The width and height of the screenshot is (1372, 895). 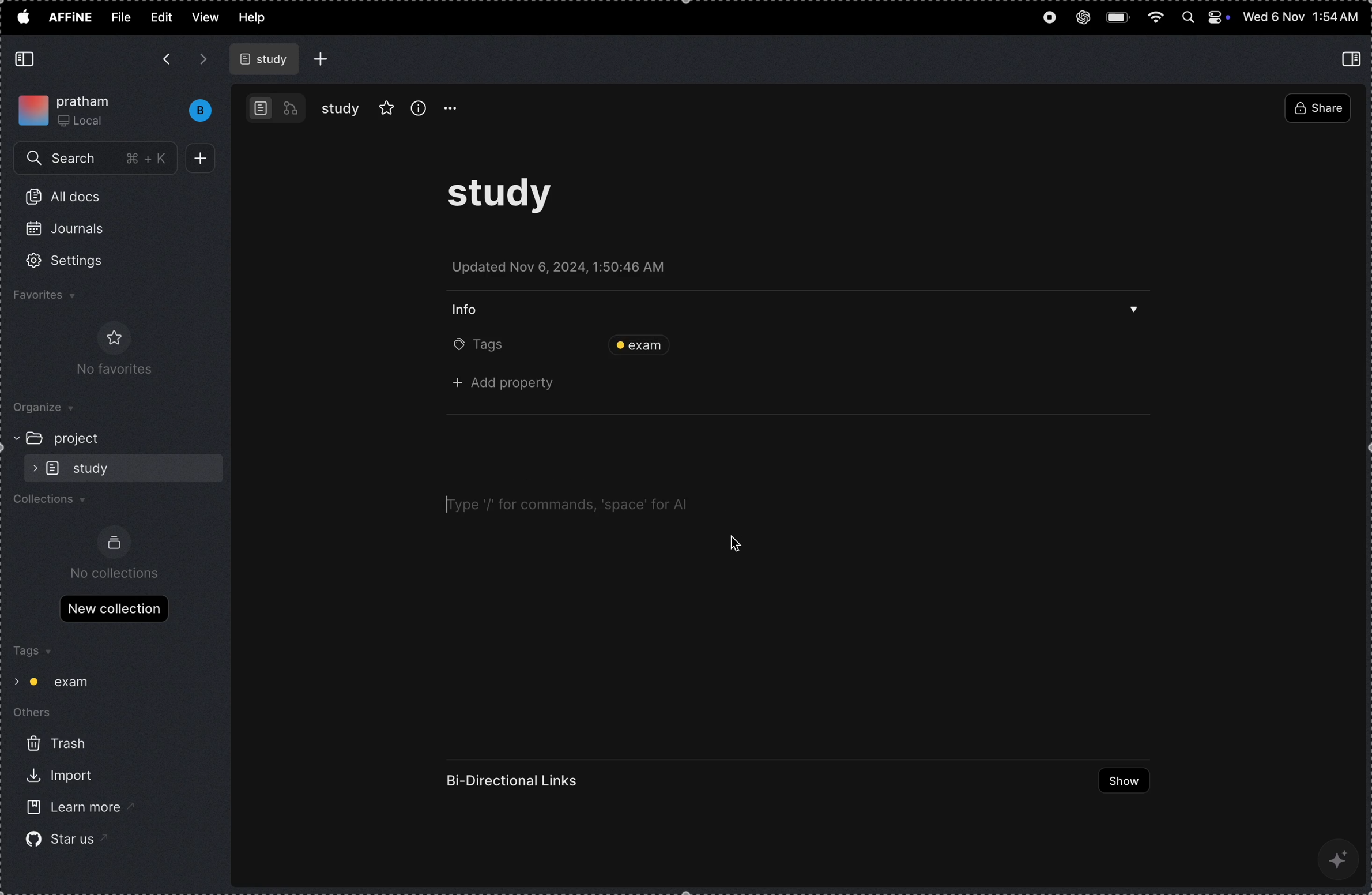 What do you see at coordinates (95, 467) in the screenshot?
I see `sub folder study` at bounding box center [95, 467].